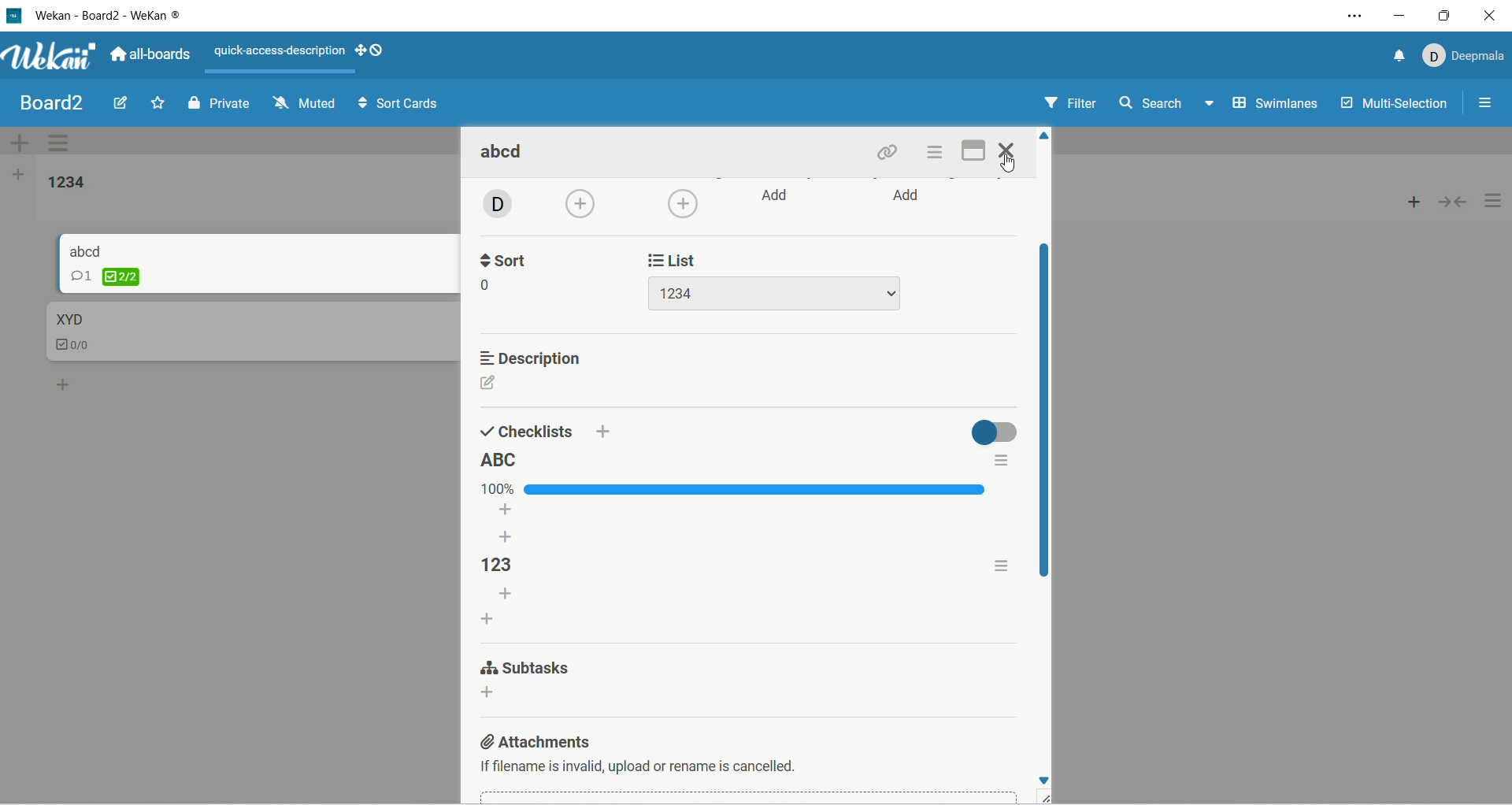 The width and height of the screenshot is (1512, 805). Describe the element at coordinates (369, 50) in the screenshot. I see `SHOW-DESKTOP-DRAG-HANDLES` at that location.